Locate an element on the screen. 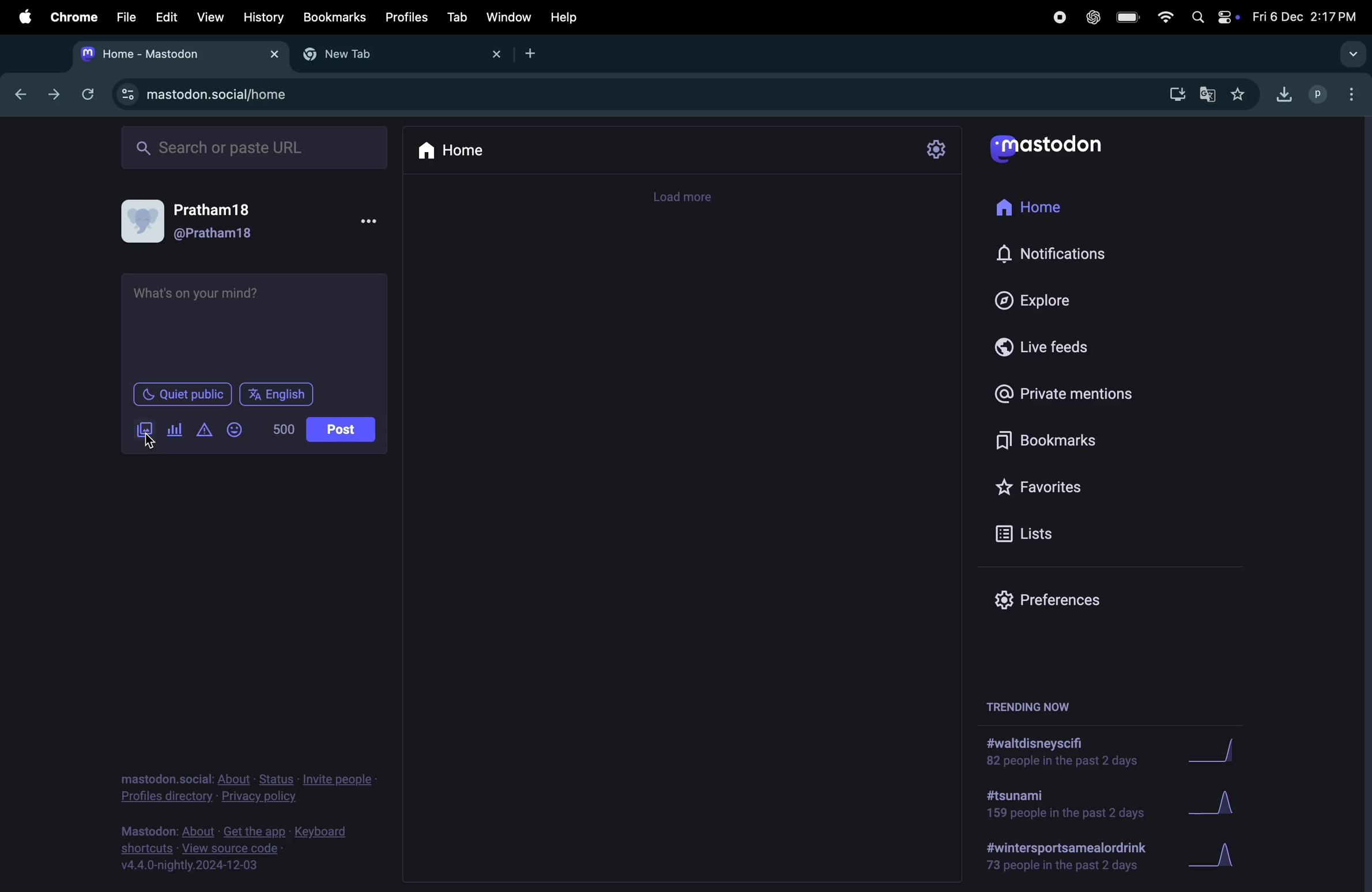 This screenshot has height=892, width=1372. record is located at coordinates (1058, 17).